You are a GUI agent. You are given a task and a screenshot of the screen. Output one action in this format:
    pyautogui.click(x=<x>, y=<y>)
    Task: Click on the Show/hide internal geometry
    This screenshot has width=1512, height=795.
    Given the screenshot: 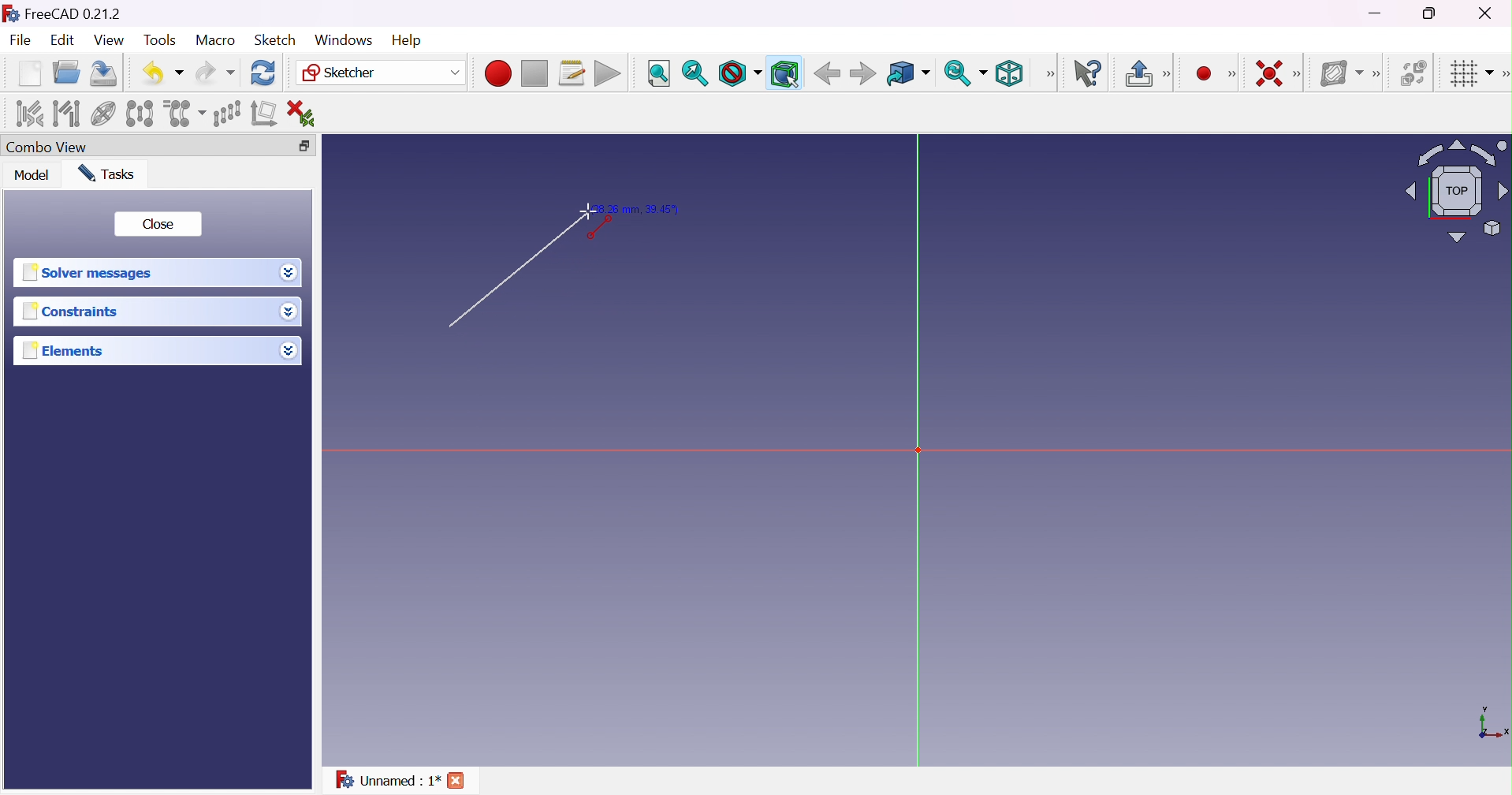 What is the action you would take?
    pyautogui.click(x=102, y=114)
    